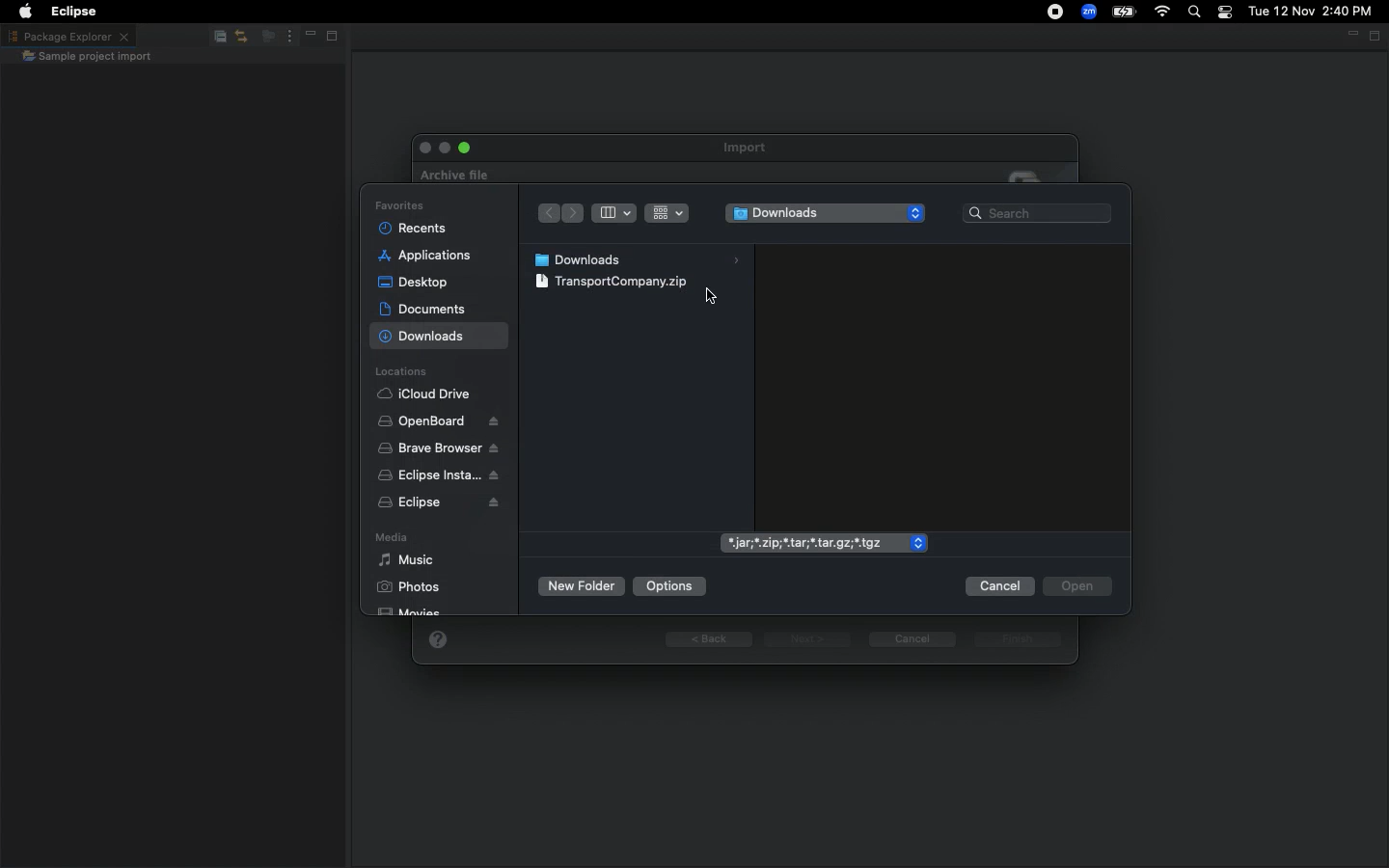 Image resolution: width=1389 pixels, height=868 pixels. Describe the element at coordinates (1076, 585) in the screenshot. I see `Open` at that location.